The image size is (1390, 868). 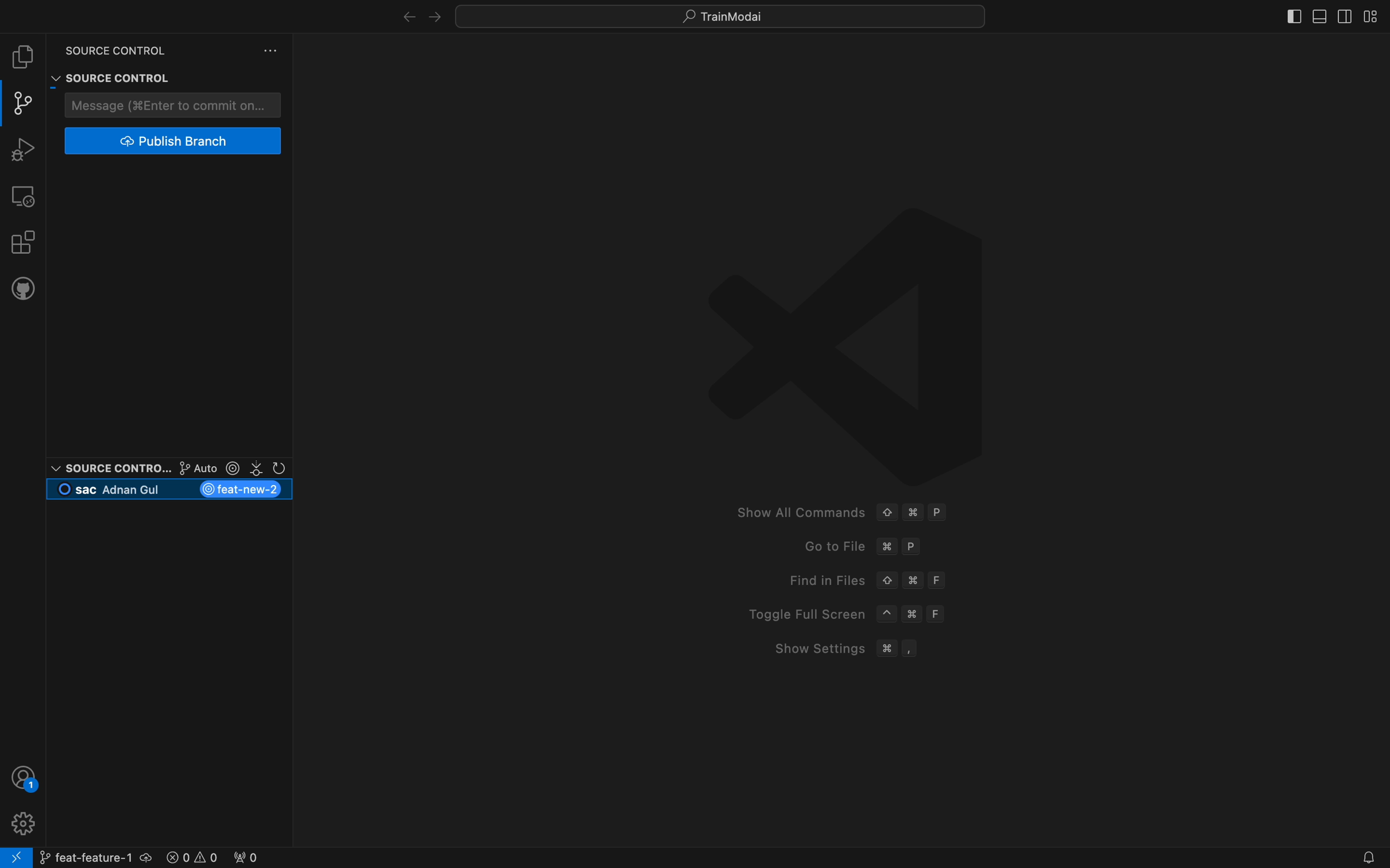 I want to click on Command, so click(x=916, y=616).